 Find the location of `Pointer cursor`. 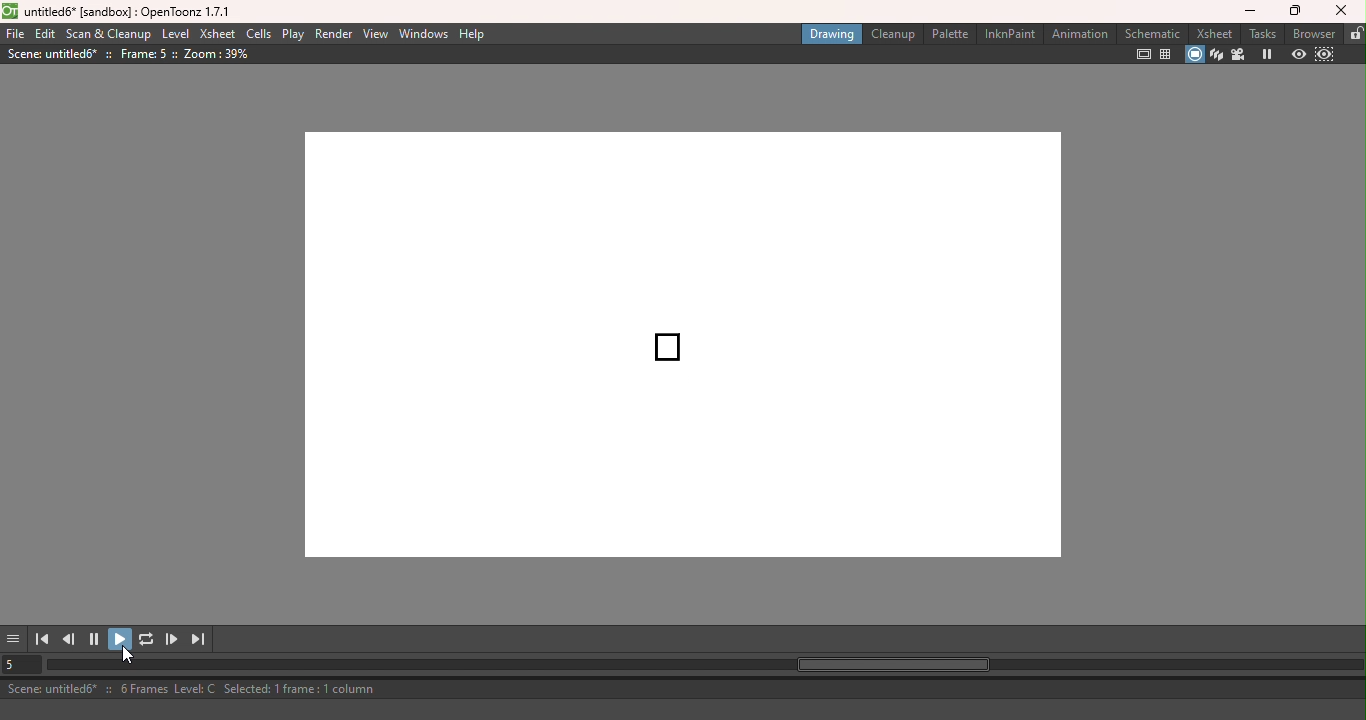

Pointer cursor is located at coordinates (130, 658).